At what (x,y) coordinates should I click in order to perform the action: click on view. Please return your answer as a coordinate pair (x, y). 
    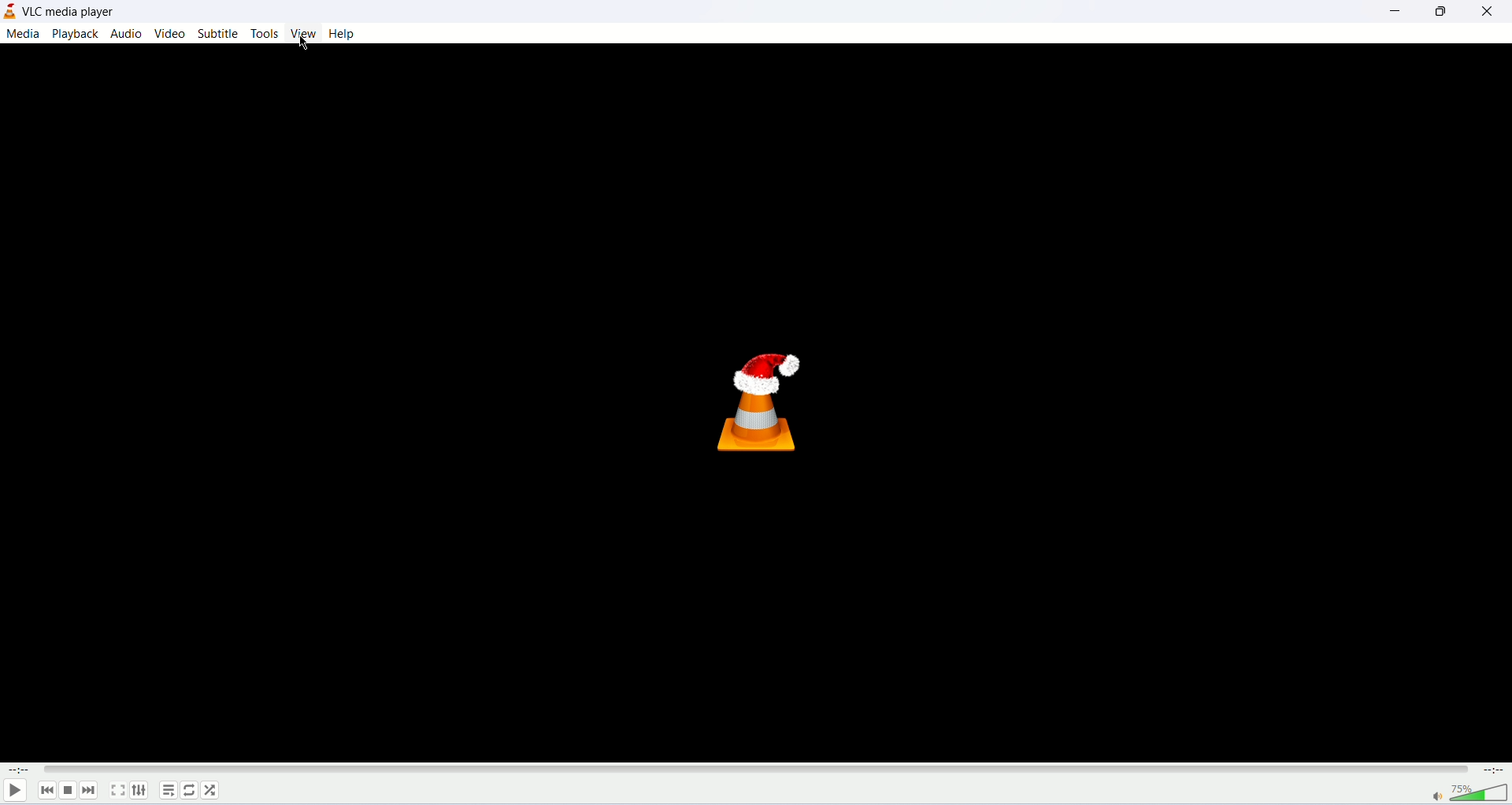
    Looking at the image, I should click on (306, 34).